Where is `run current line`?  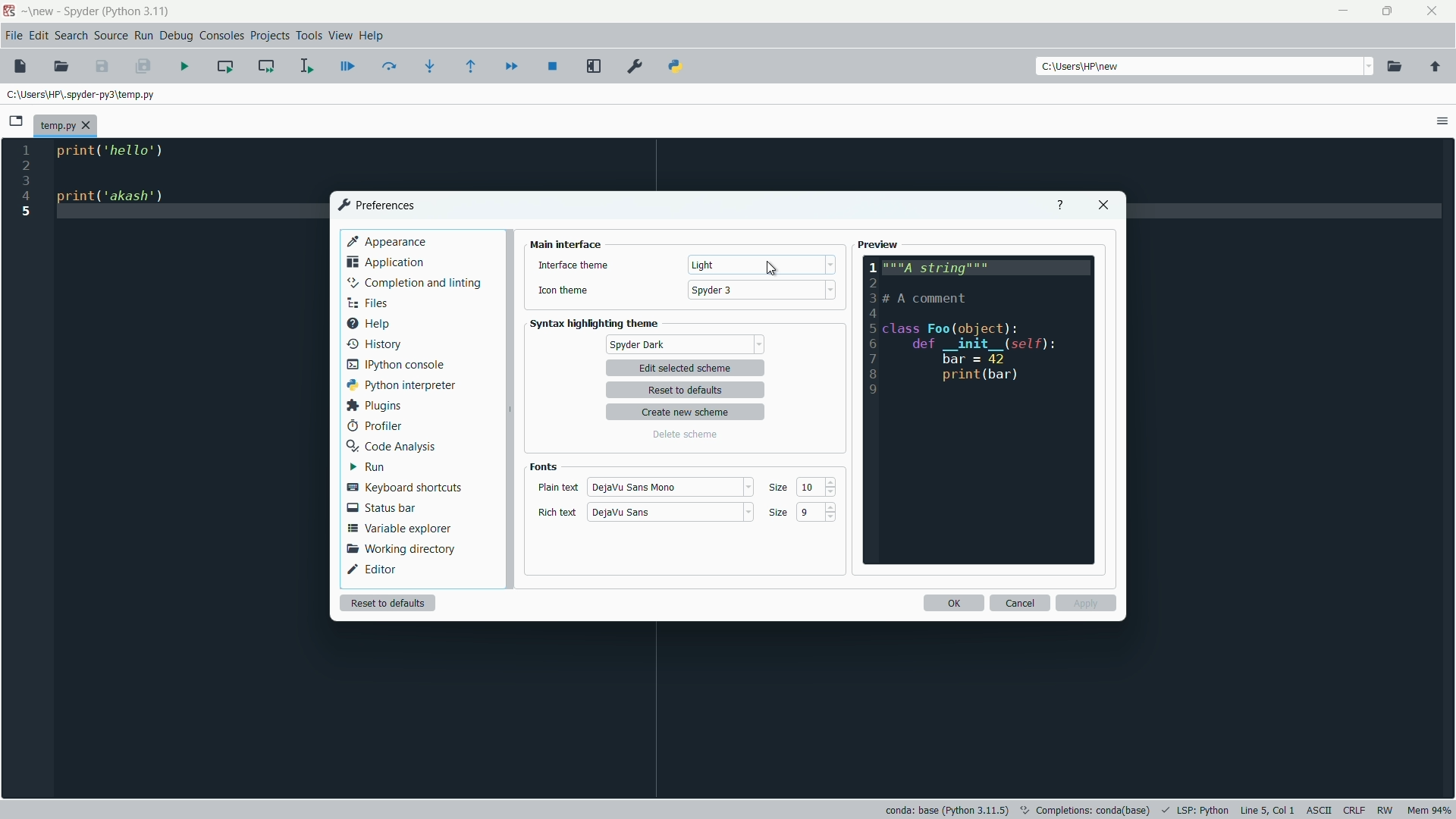
run current line is located at coordinates (390, 66).